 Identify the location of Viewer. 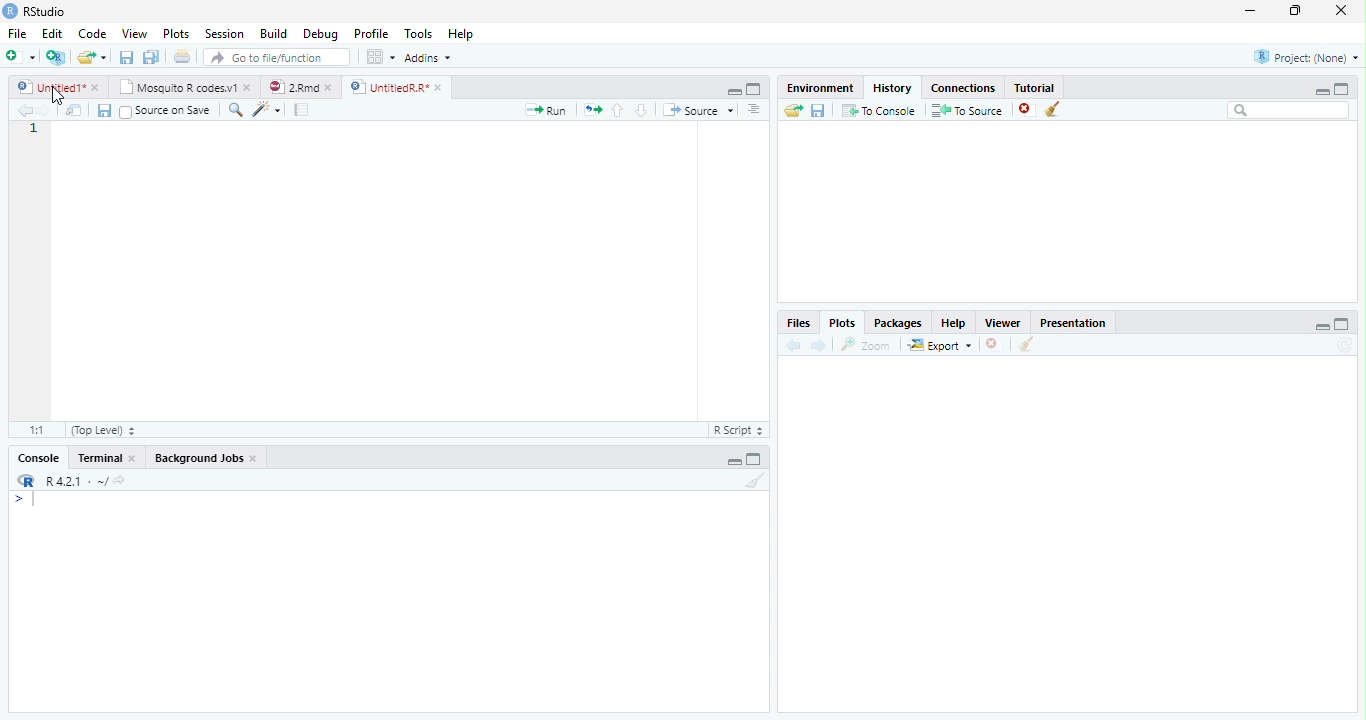
(1002, 322).